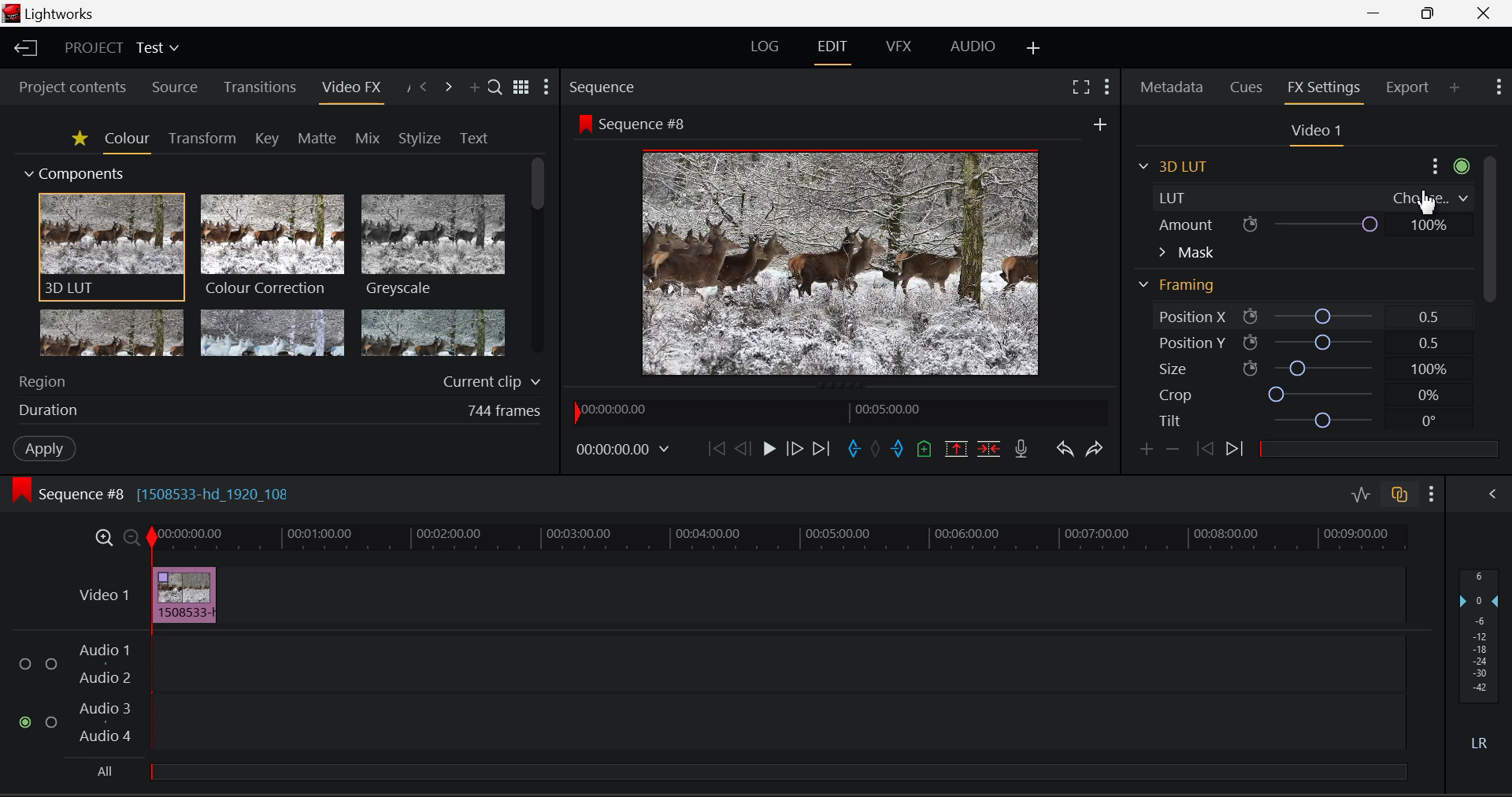 The height and width of the screenshot is (797, 1512). Describe the element at coordinates (76, 172) in the screenshot. I see `Components Section` at that location.